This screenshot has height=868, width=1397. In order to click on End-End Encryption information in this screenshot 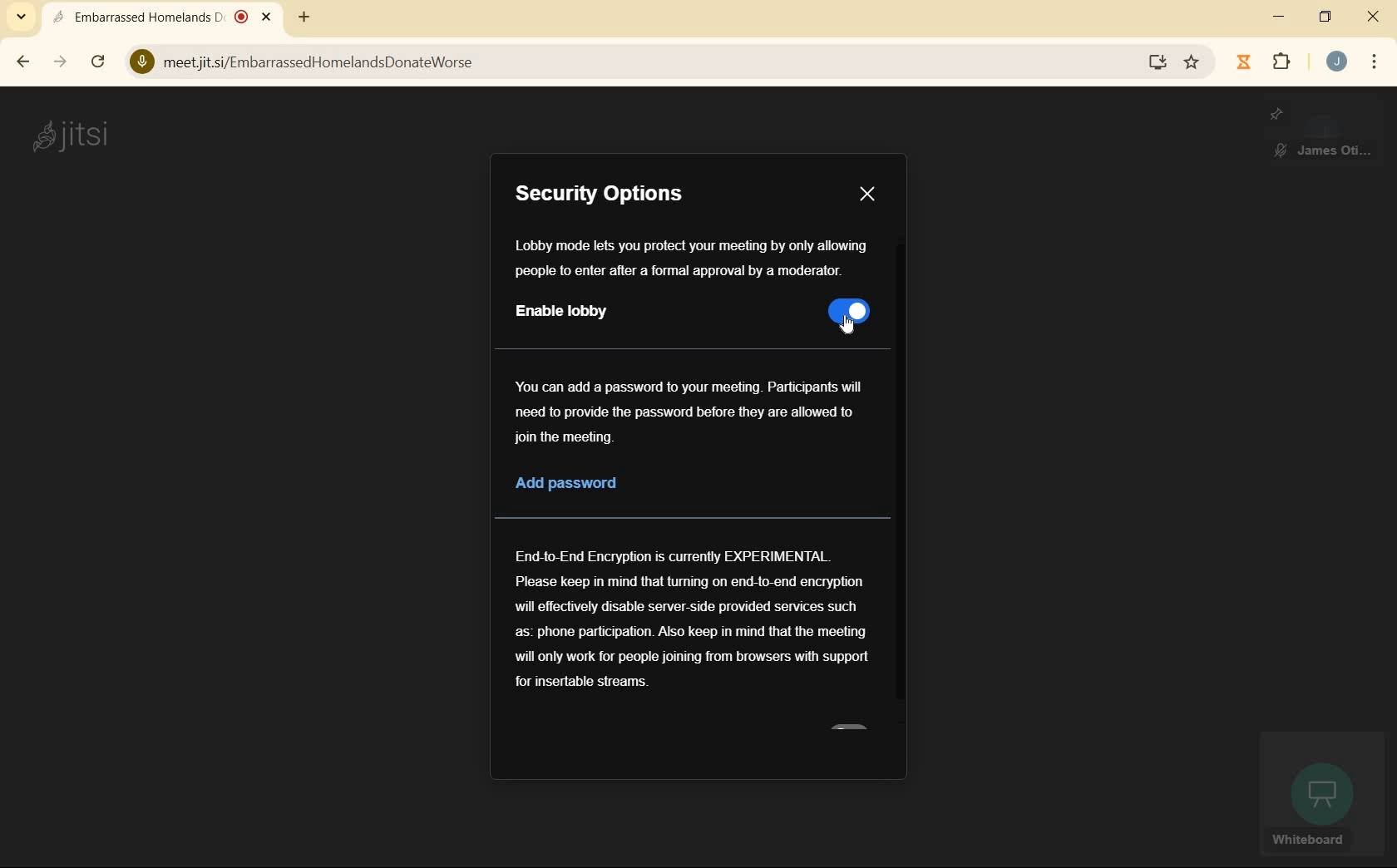, I will do `click(694, 621)`.